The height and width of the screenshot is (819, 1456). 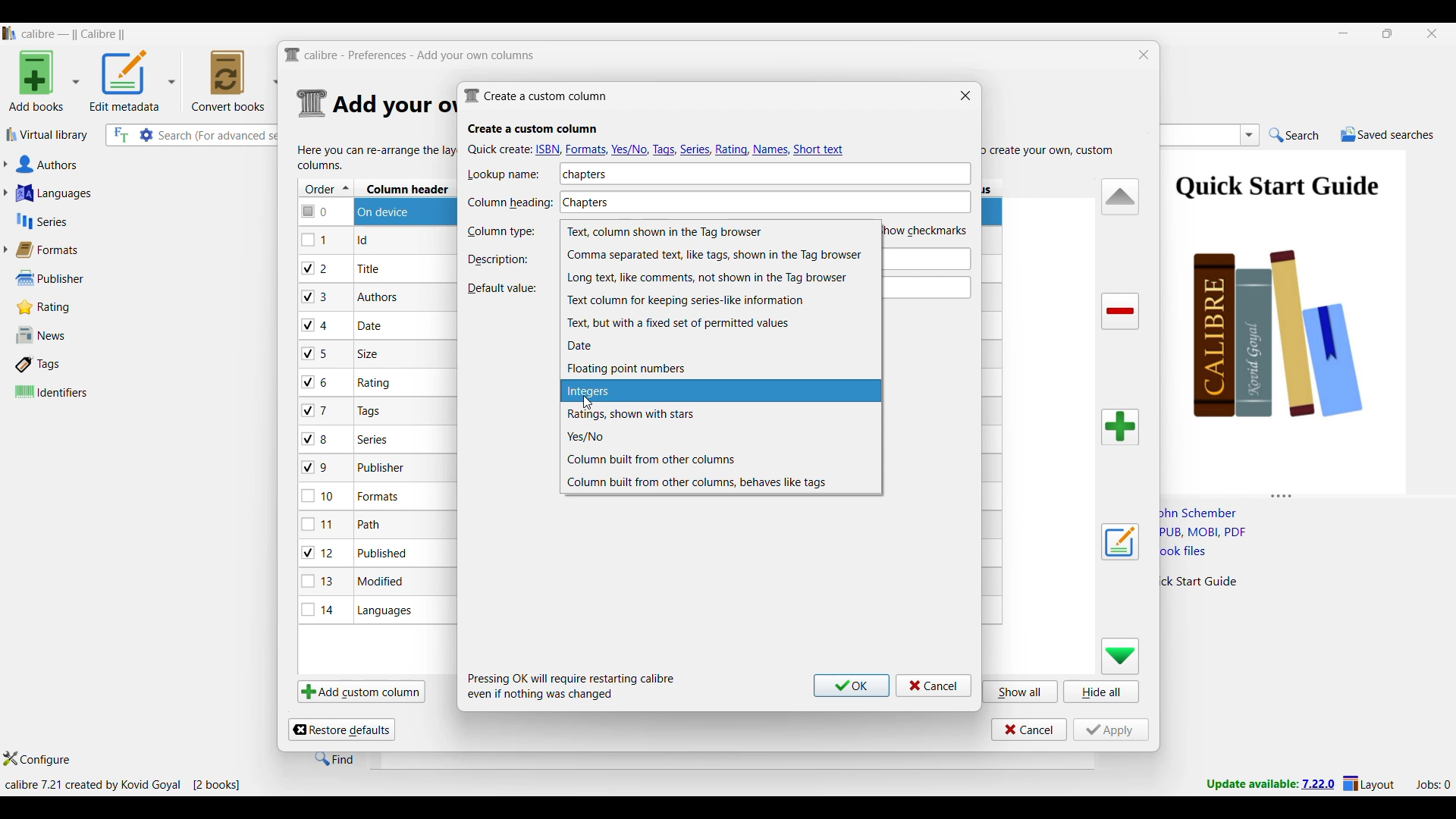 What do you see at coordinates (1144, 55) in the screenshot?
I see `Close window` at bounding box center [1144, 55].